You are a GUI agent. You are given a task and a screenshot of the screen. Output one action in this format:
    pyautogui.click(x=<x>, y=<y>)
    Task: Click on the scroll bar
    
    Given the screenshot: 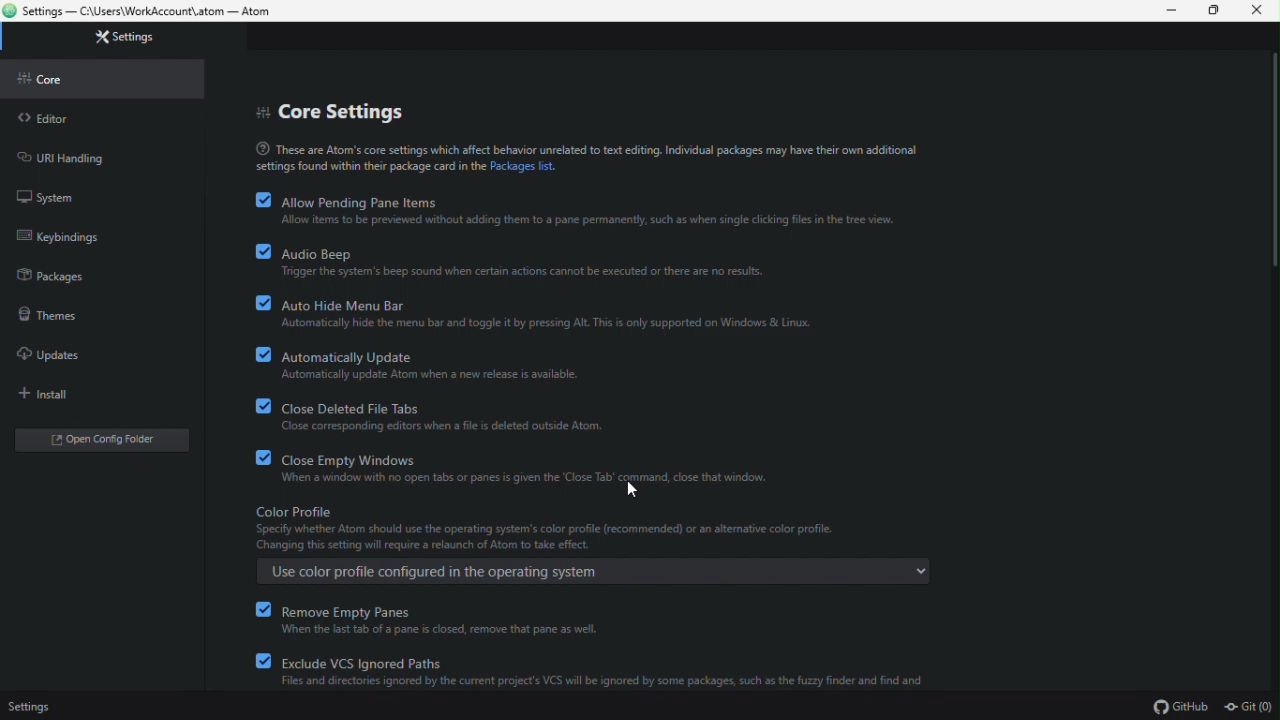 What is the action you would take?
    pyautogui.click(x=1271, y=160)
    